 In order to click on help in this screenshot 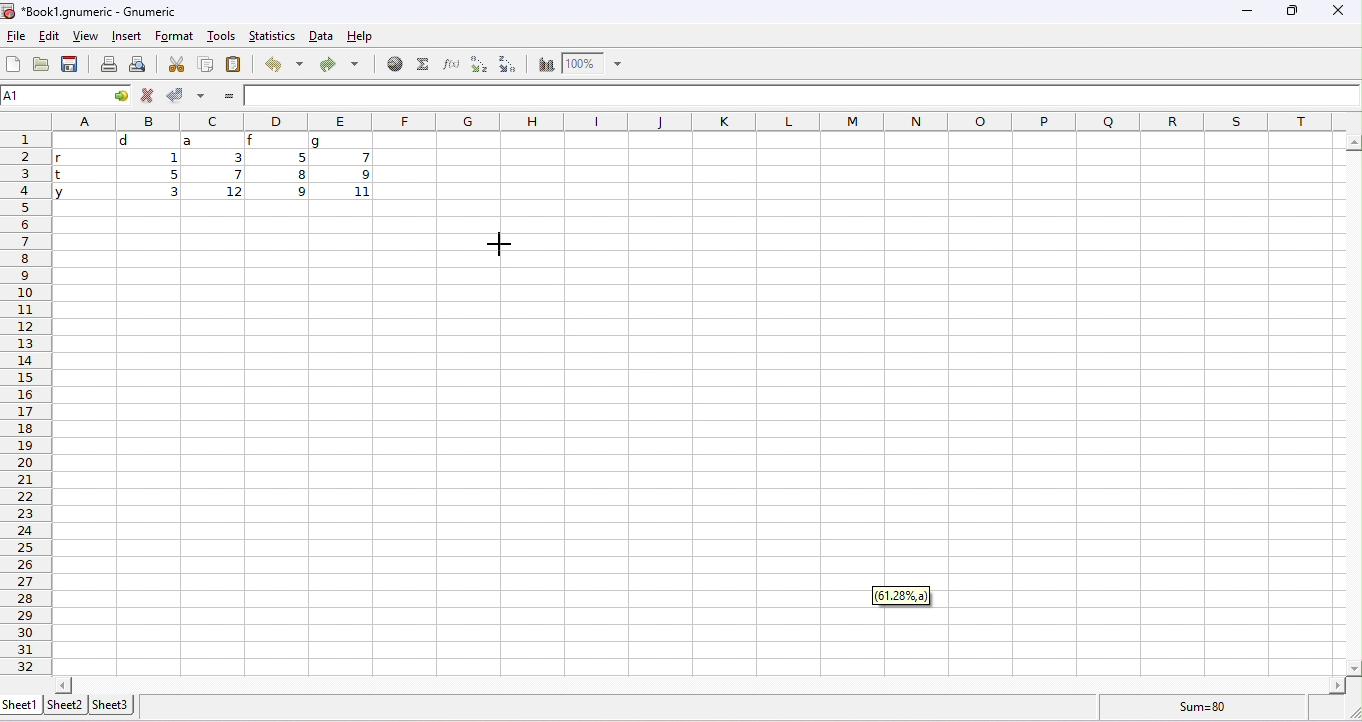, I will do `click(361, 36)`.